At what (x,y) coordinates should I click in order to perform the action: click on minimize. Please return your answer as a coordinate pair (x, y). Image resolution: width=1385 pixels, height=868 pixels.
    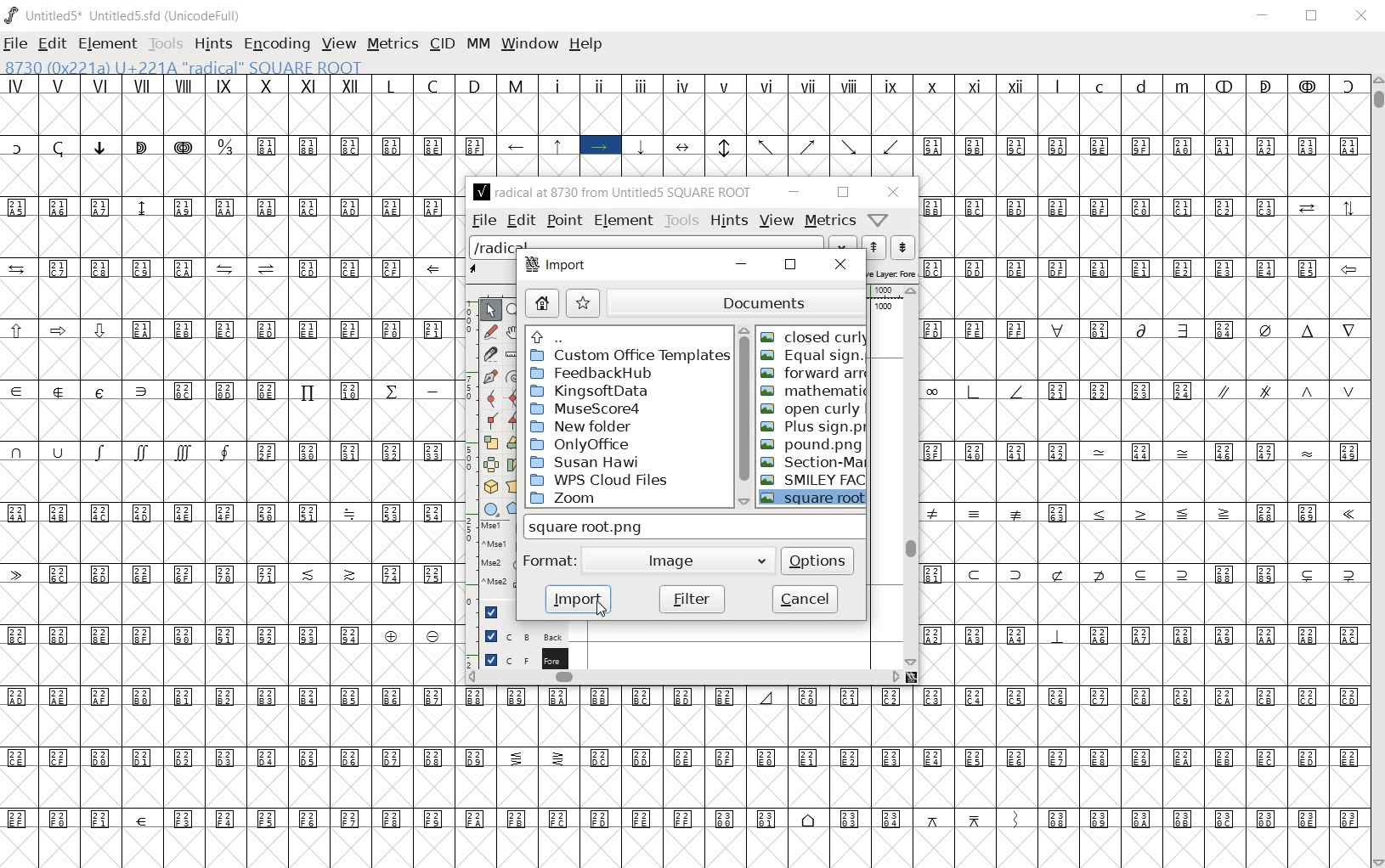
    Looking at the image, I should click on (741, 264).